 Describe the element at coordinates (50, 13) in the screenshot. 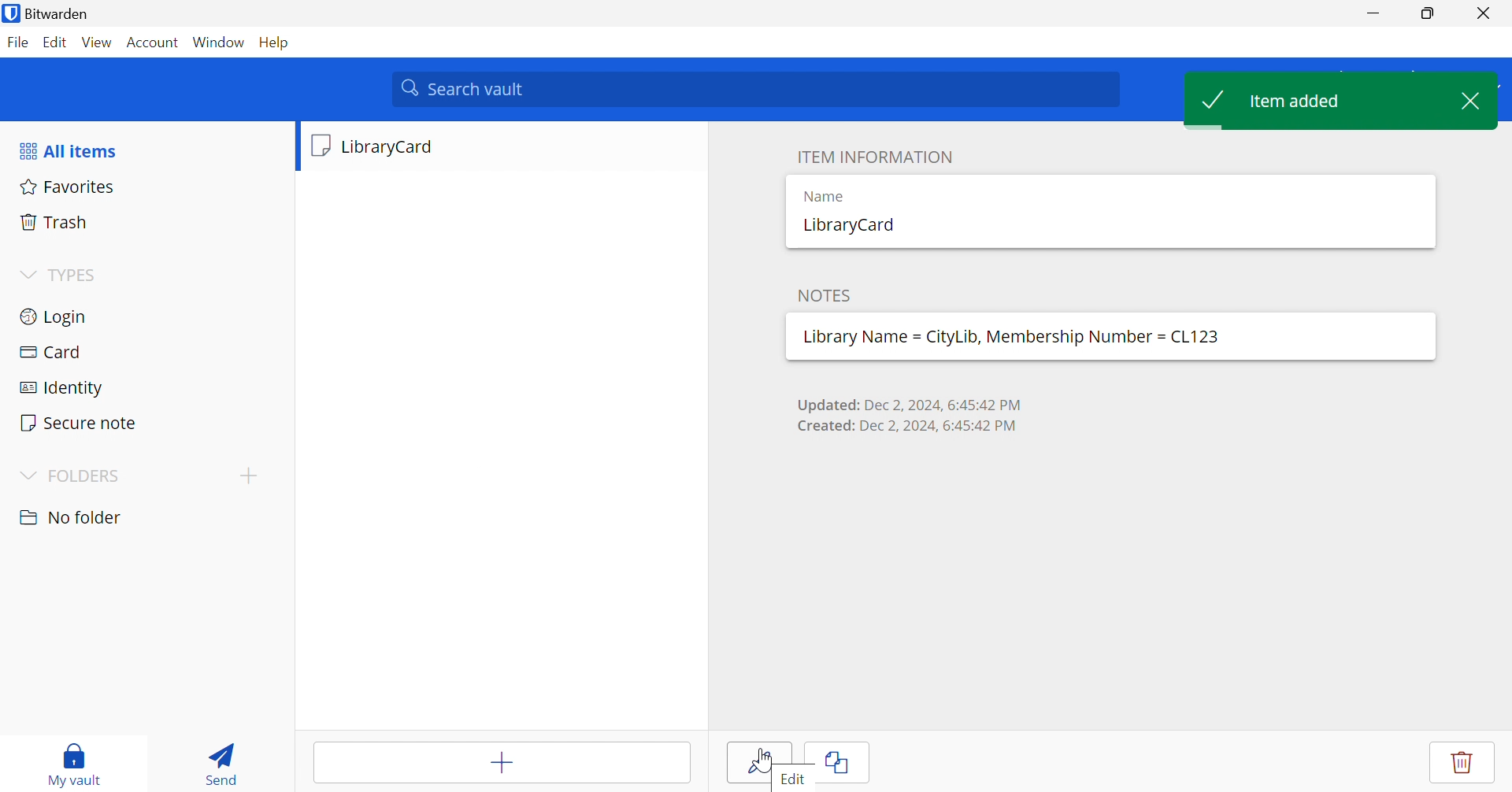

I see `Bitwarden` at that location.